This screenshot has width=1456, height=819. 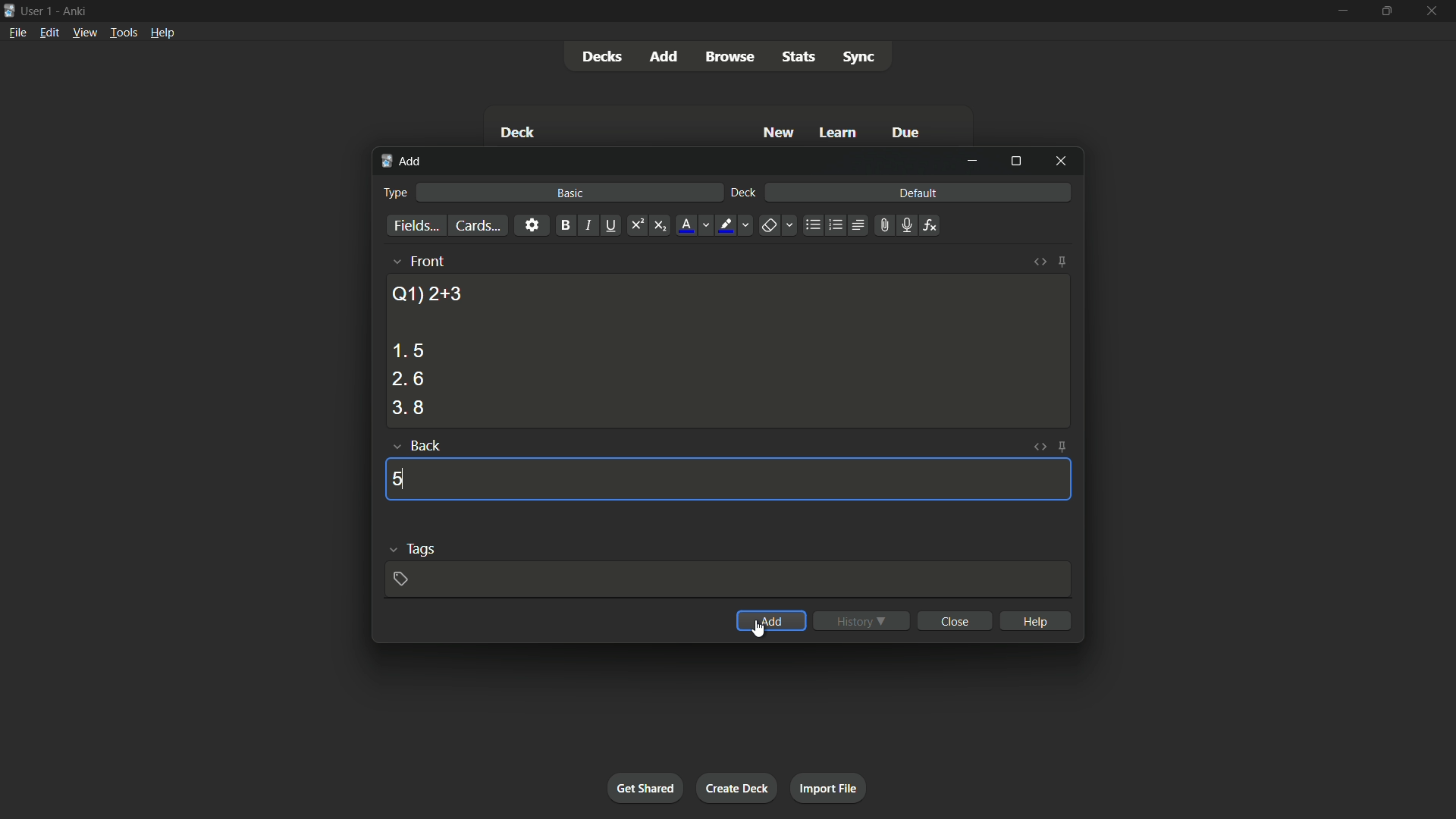 What do you see at coordinates (398, 479) in the screenshot?
I see `answer` at bounding box center [398, 479].